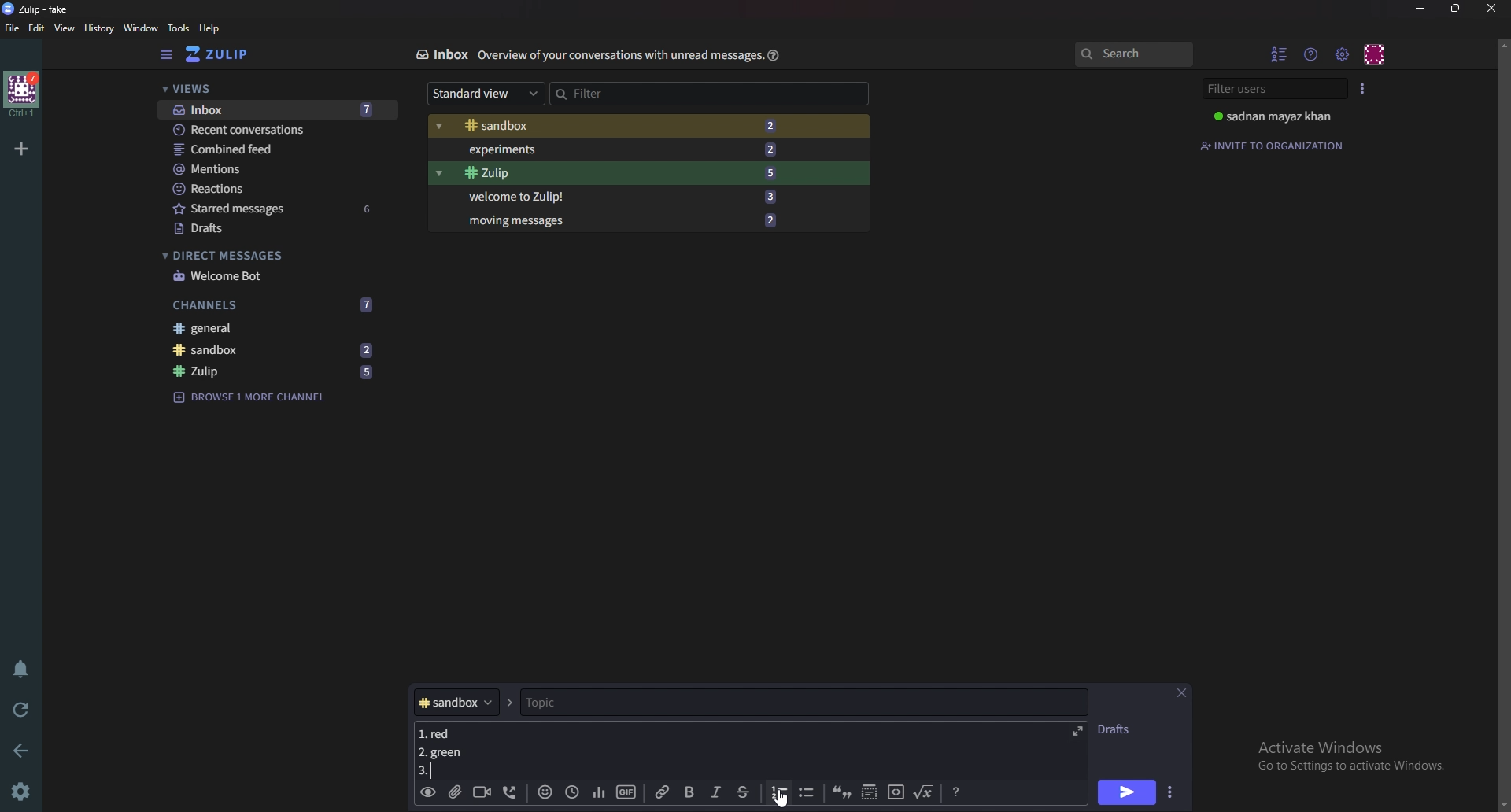 The height and width of the screenshot is (812, 1511). I want to click on File, so click(13, 29).